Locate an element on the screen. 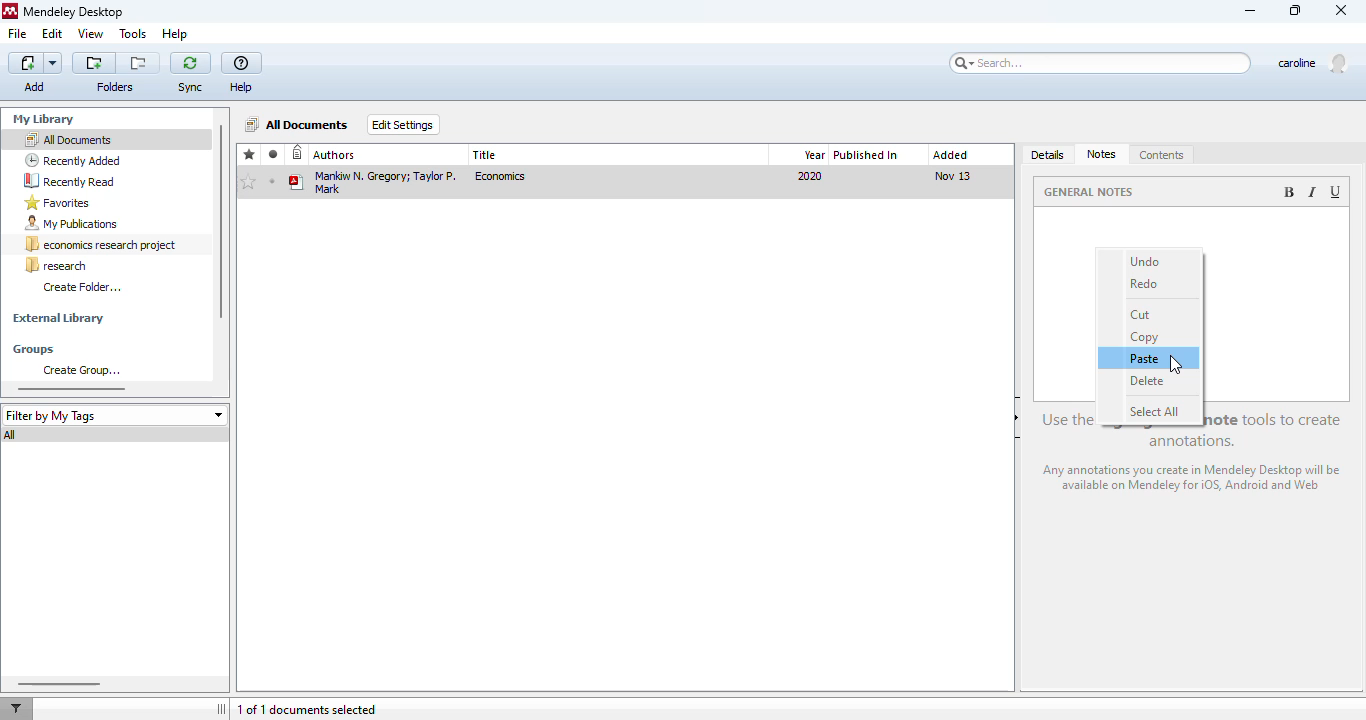 This screenshot has height=720, width=1366. my publications is located at coordinates (72, 224).